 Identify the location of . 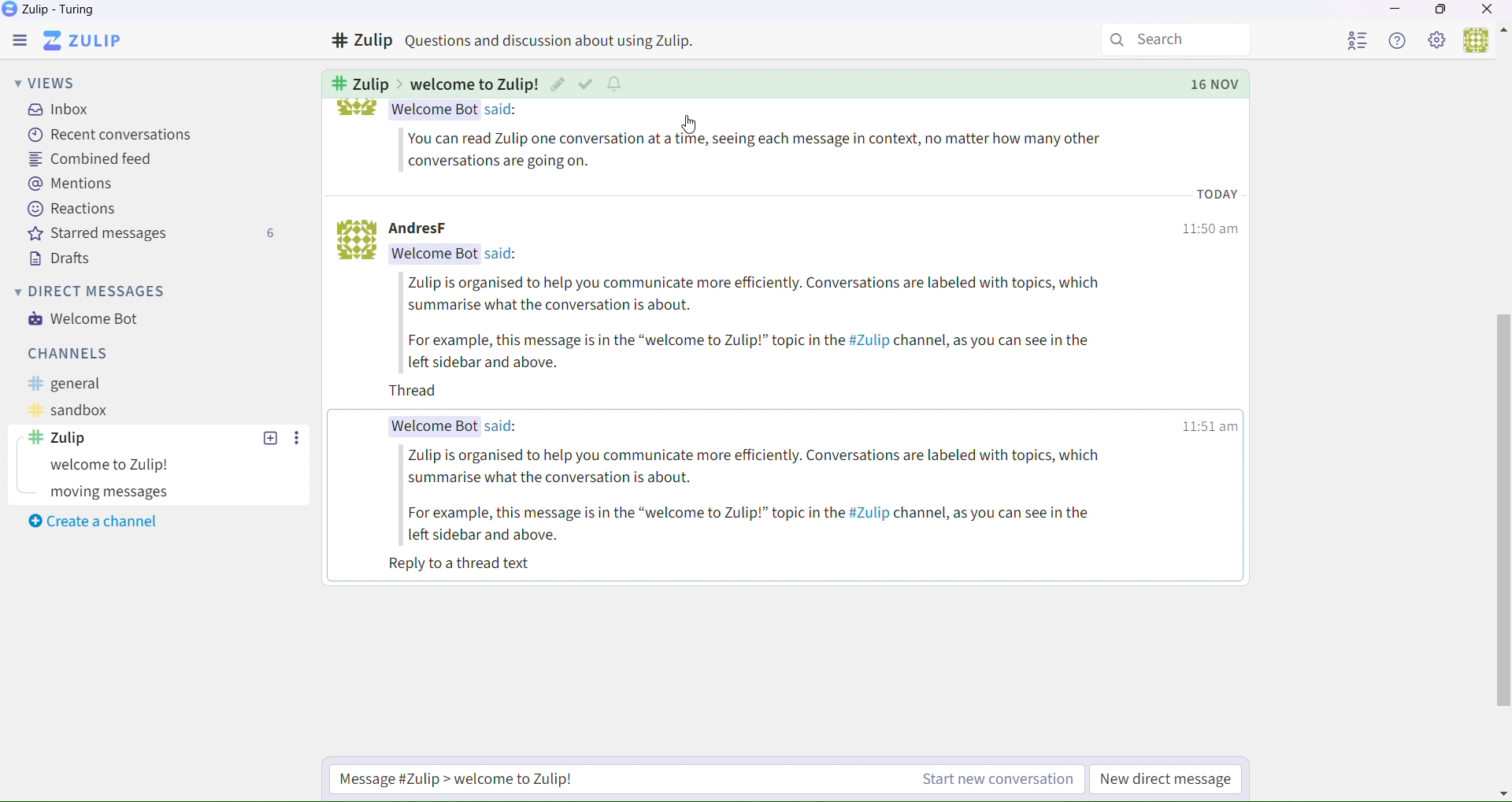
(295, 438).